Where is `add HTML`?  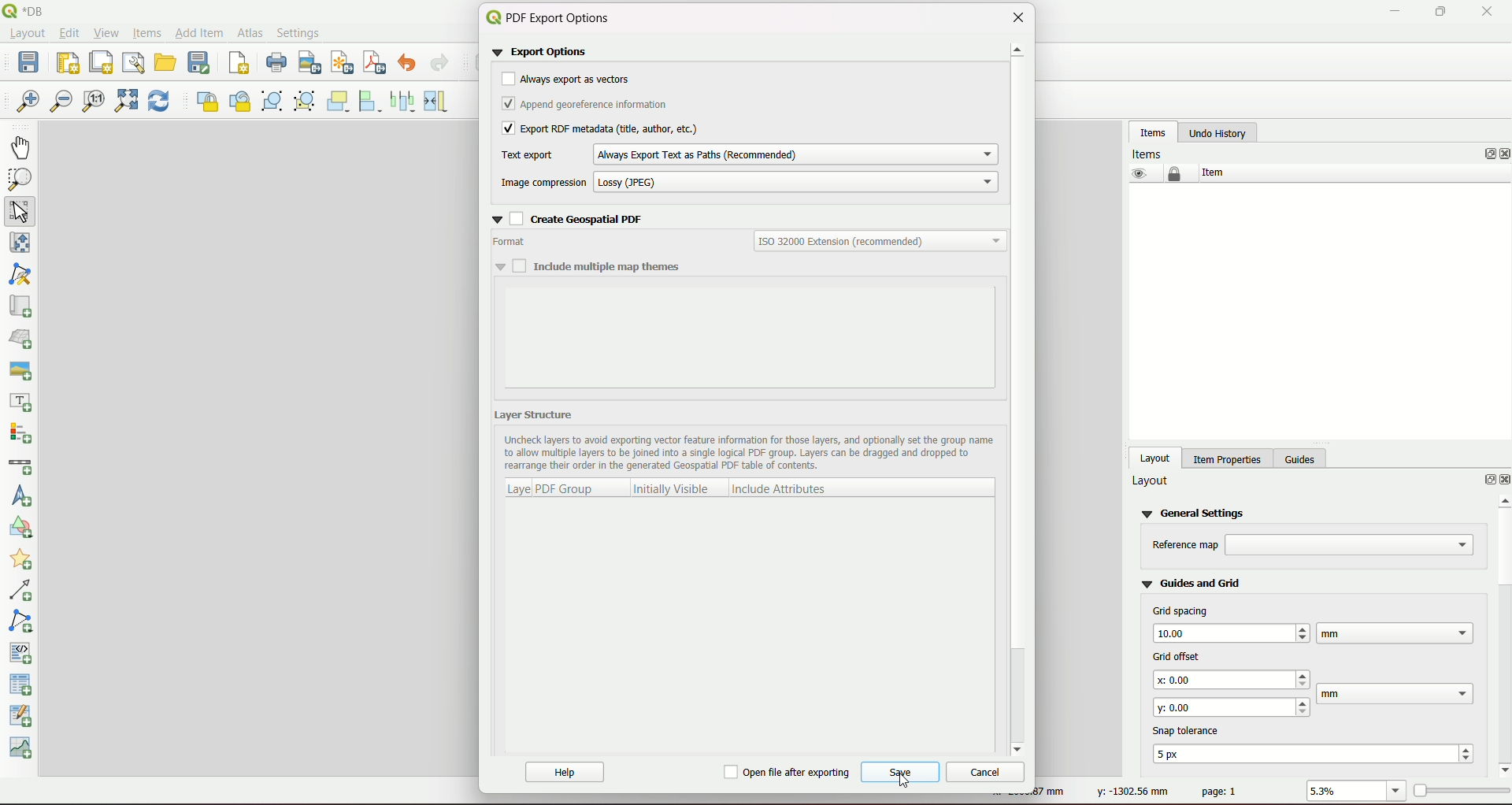
add HTML is located at coordinates (23, 651).